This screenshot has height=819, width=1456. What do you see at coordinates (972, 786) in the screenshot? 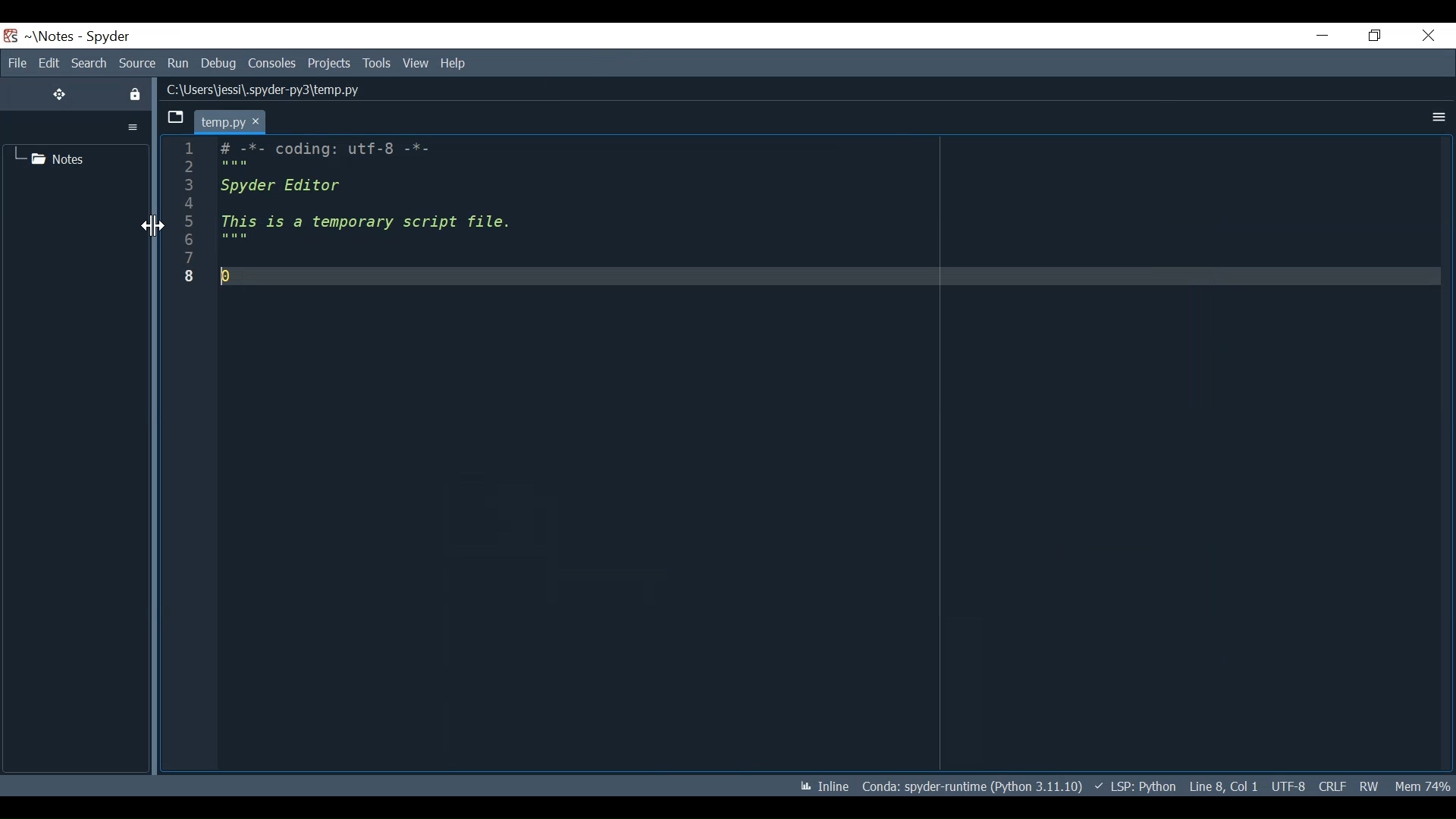
I see `Conda: spyder-runtime (Python 3.11.10)` at bounding box center [972, 786].